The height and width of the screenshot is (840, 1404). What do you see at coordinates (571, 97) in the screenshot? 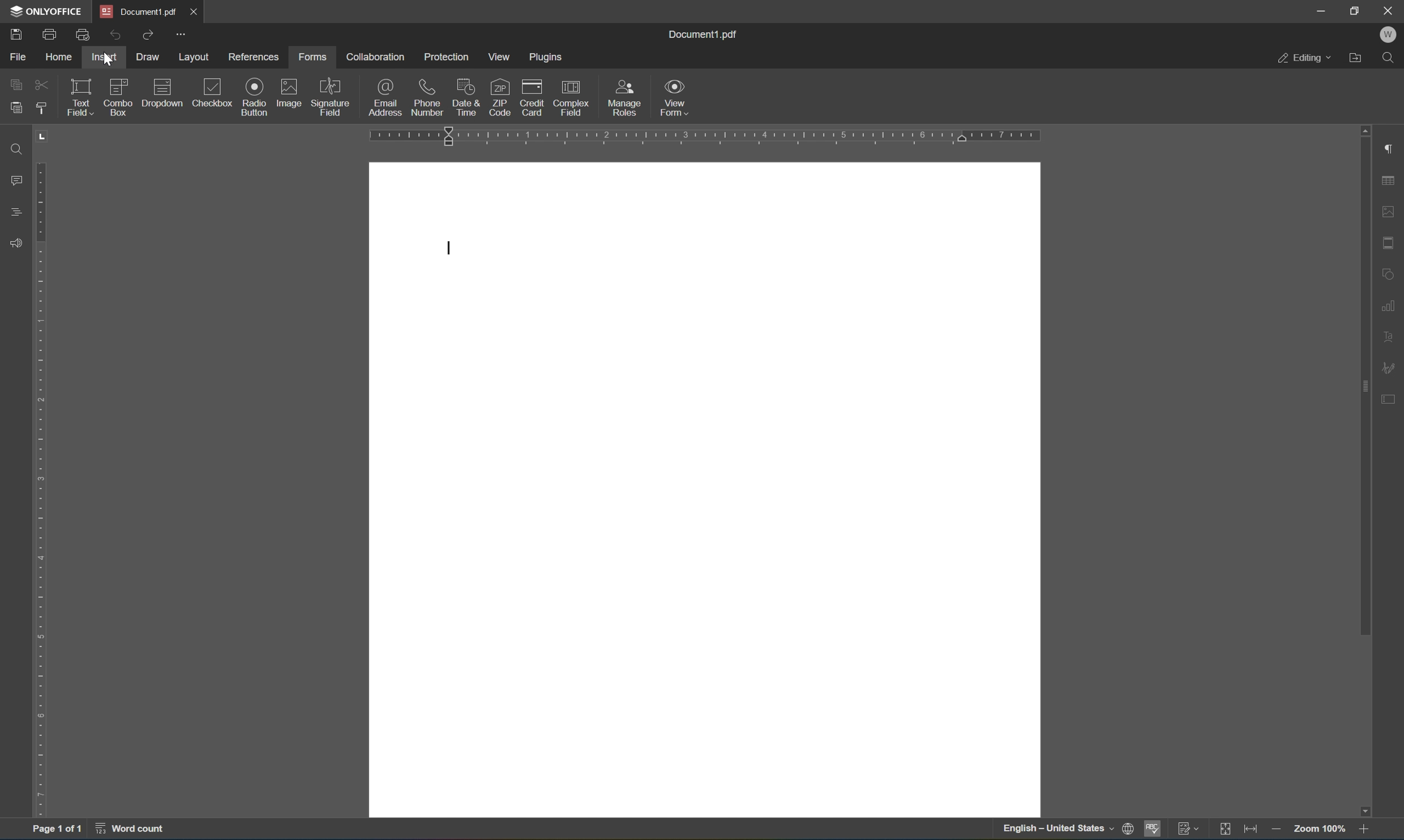
I see `complex field` at bounding box center [571, 97].